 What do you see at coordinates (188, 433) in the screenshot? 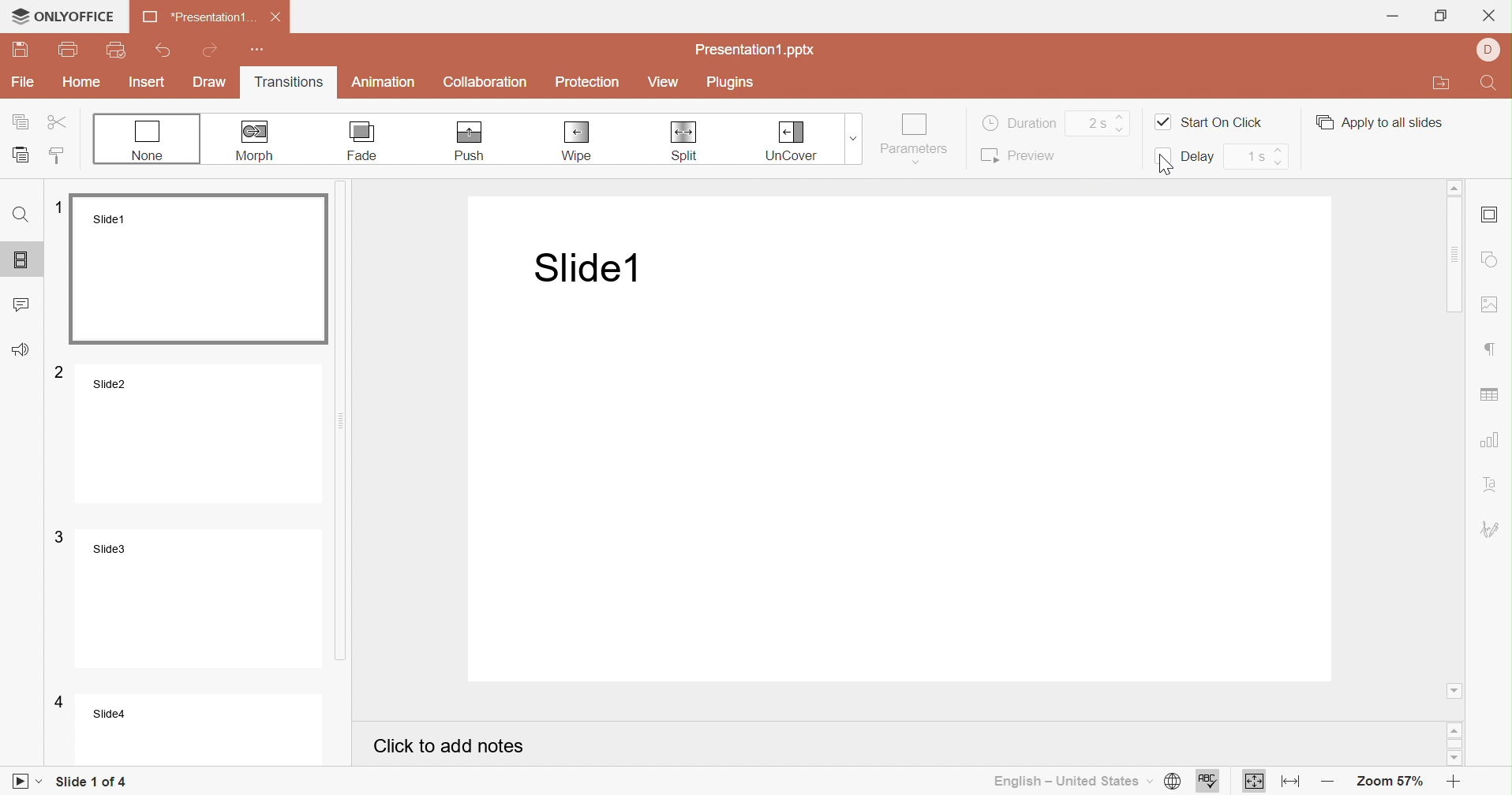
I see `Slide2` at bounding box center [188, 433].